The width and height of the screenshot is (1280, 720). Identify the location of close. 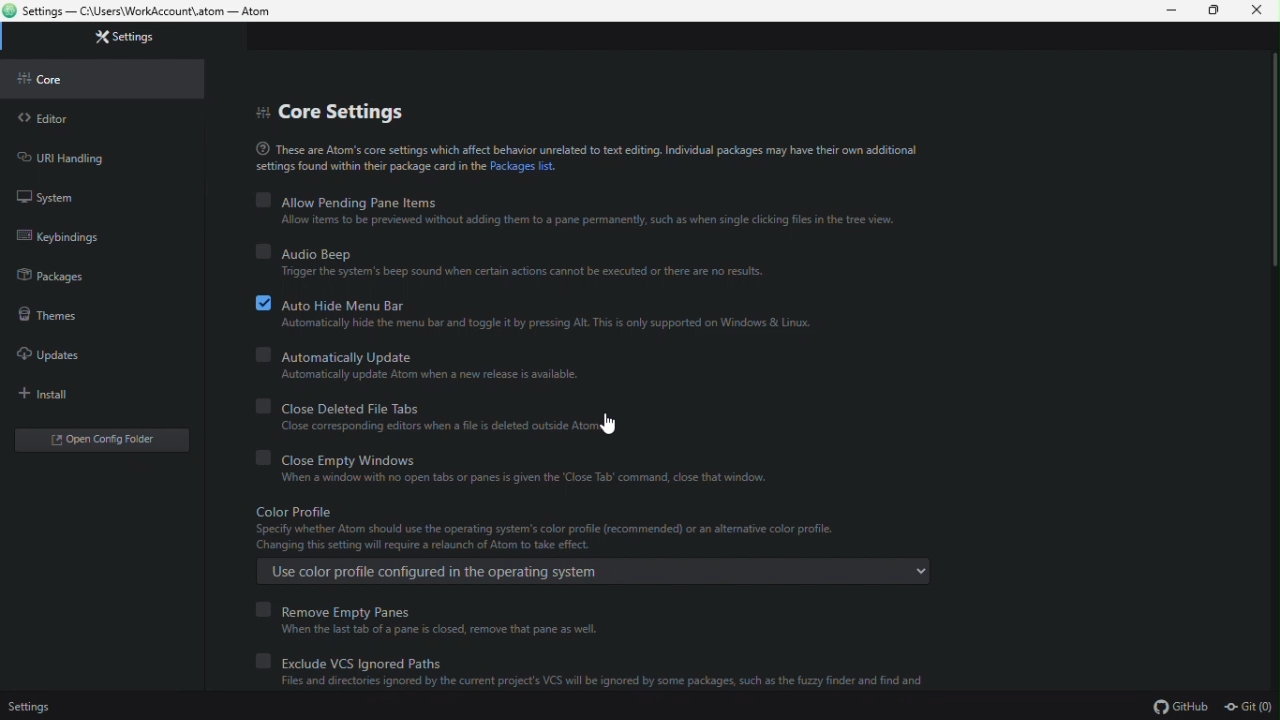
(1260, 11).